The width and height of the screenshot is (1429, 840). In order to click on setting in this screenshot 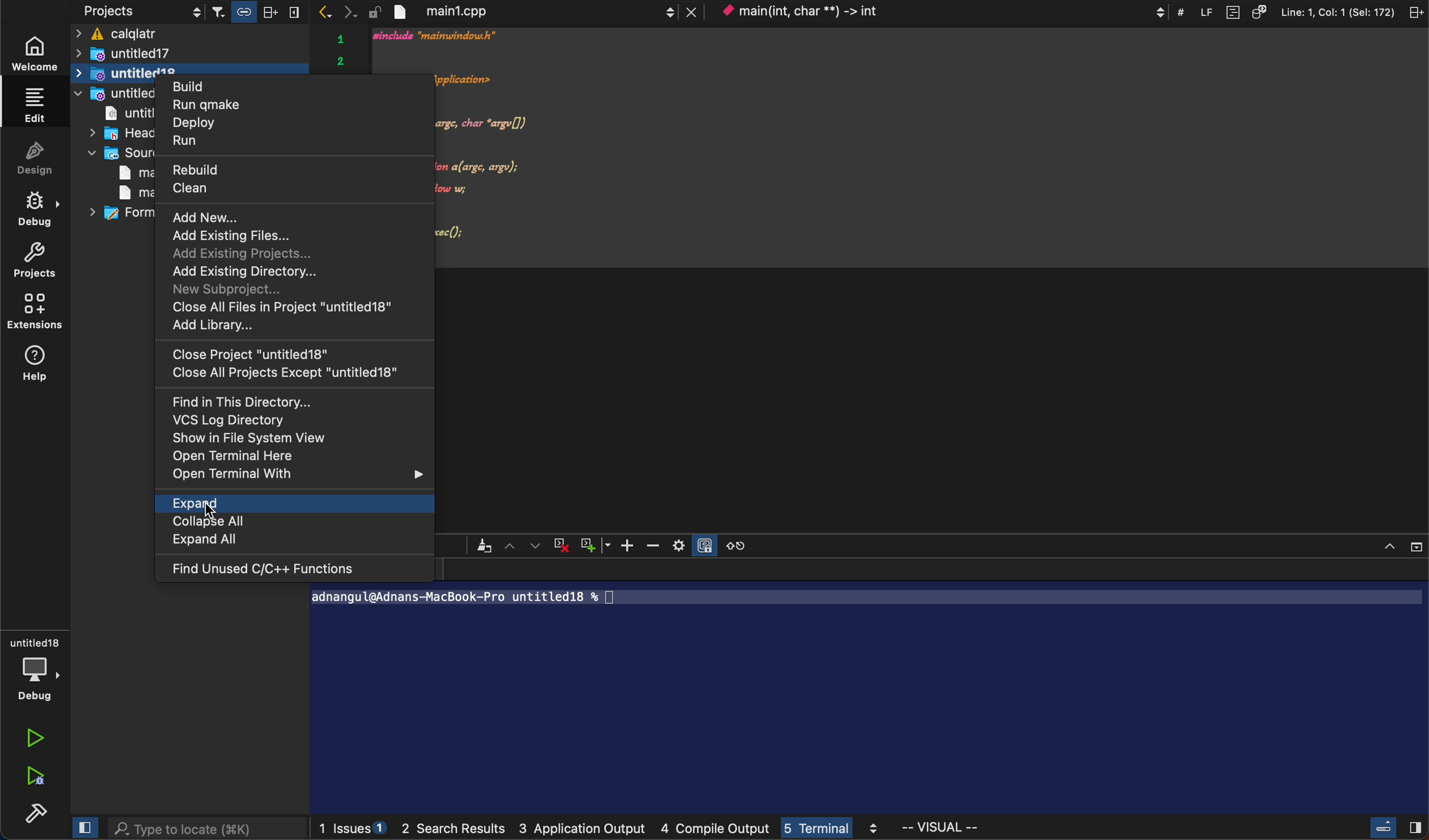, I will do `click(678, 545)`.